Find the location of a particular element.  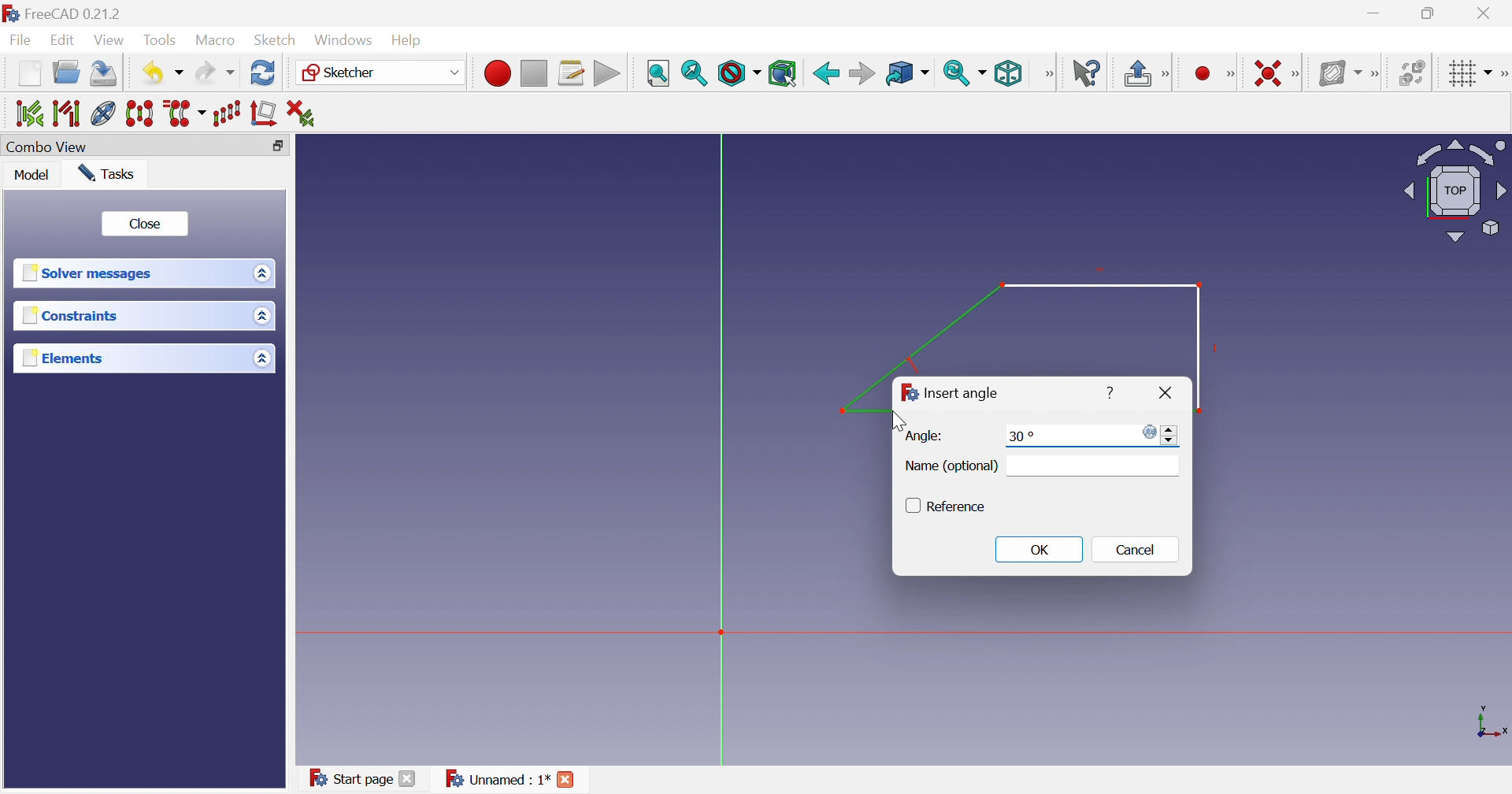

Macro recording ... is located at coordinates (495, 72).